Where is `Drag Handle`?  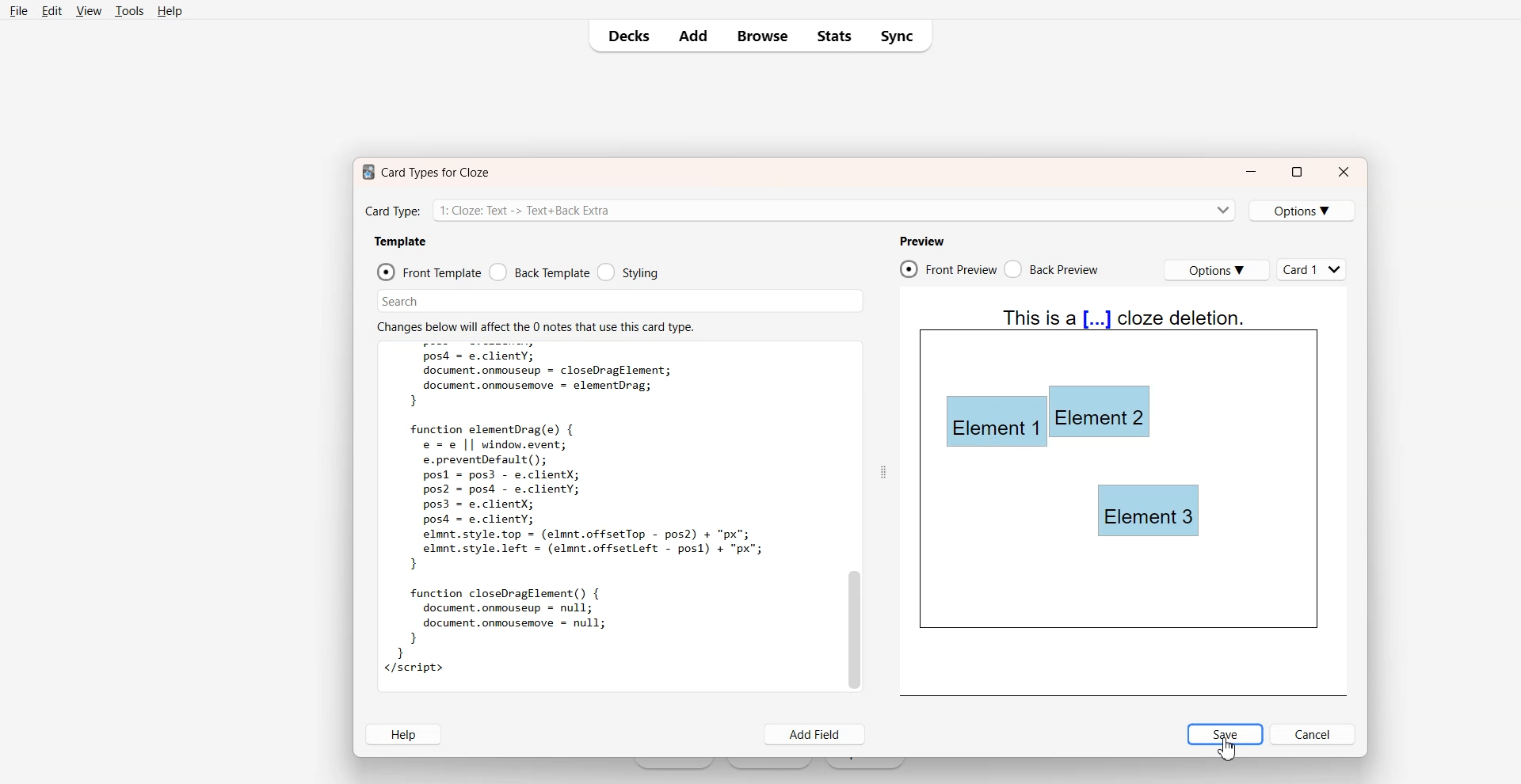
Drag Handle is located at coordinates (882, 471).